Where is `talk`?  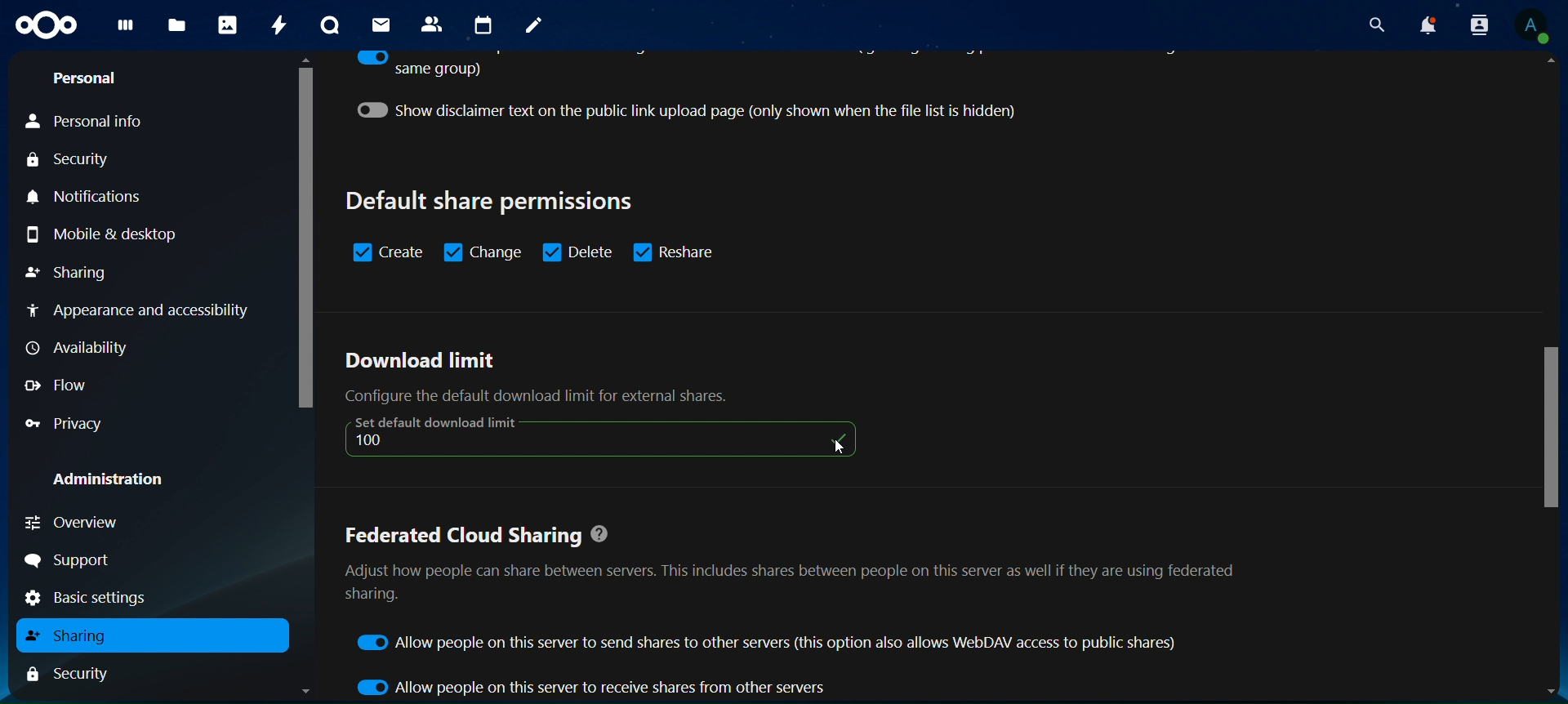 talk is located at coordinates (333, 25).